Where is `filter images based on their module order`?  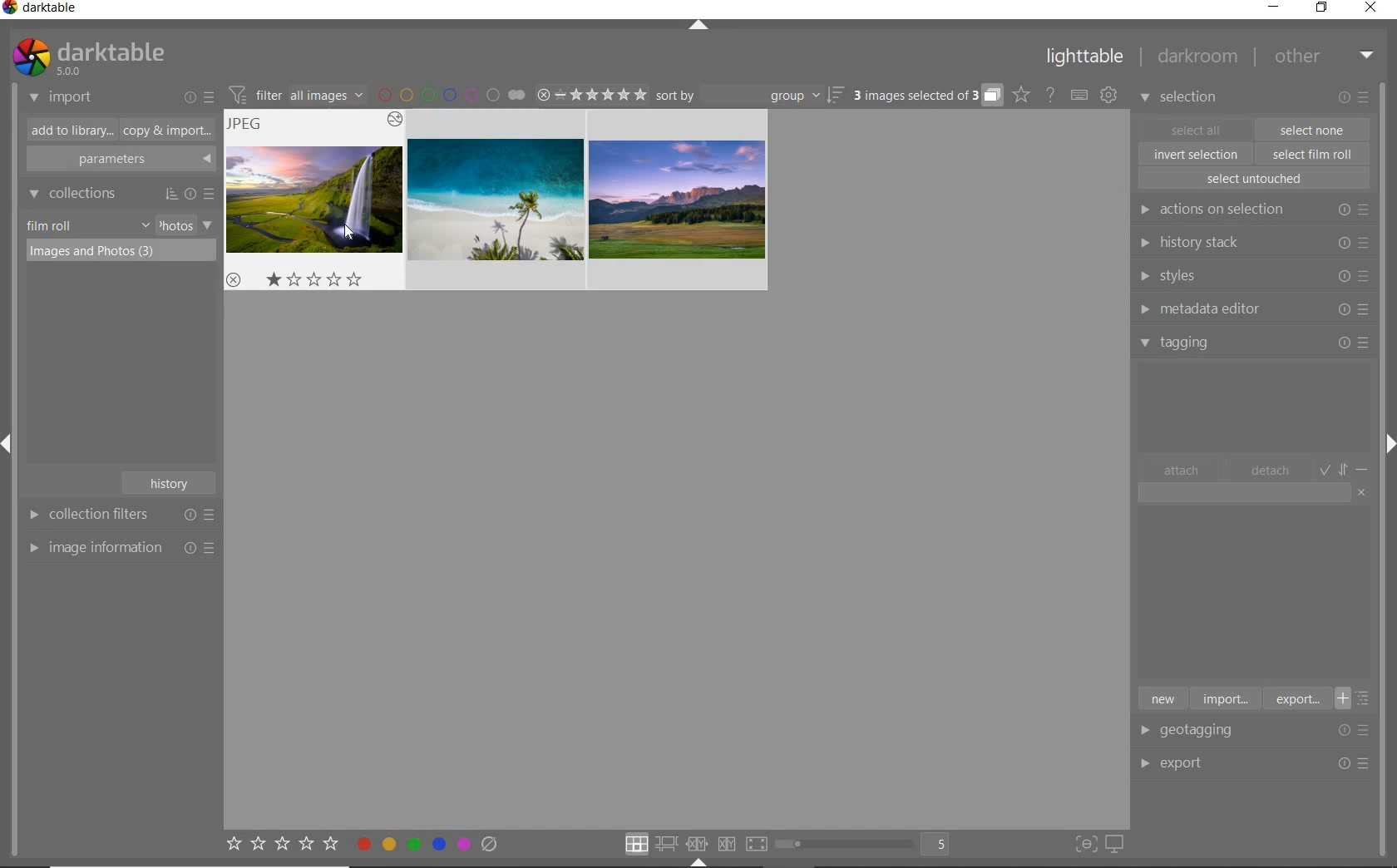 filter images based on their module order is located at coordinates (294, 93).